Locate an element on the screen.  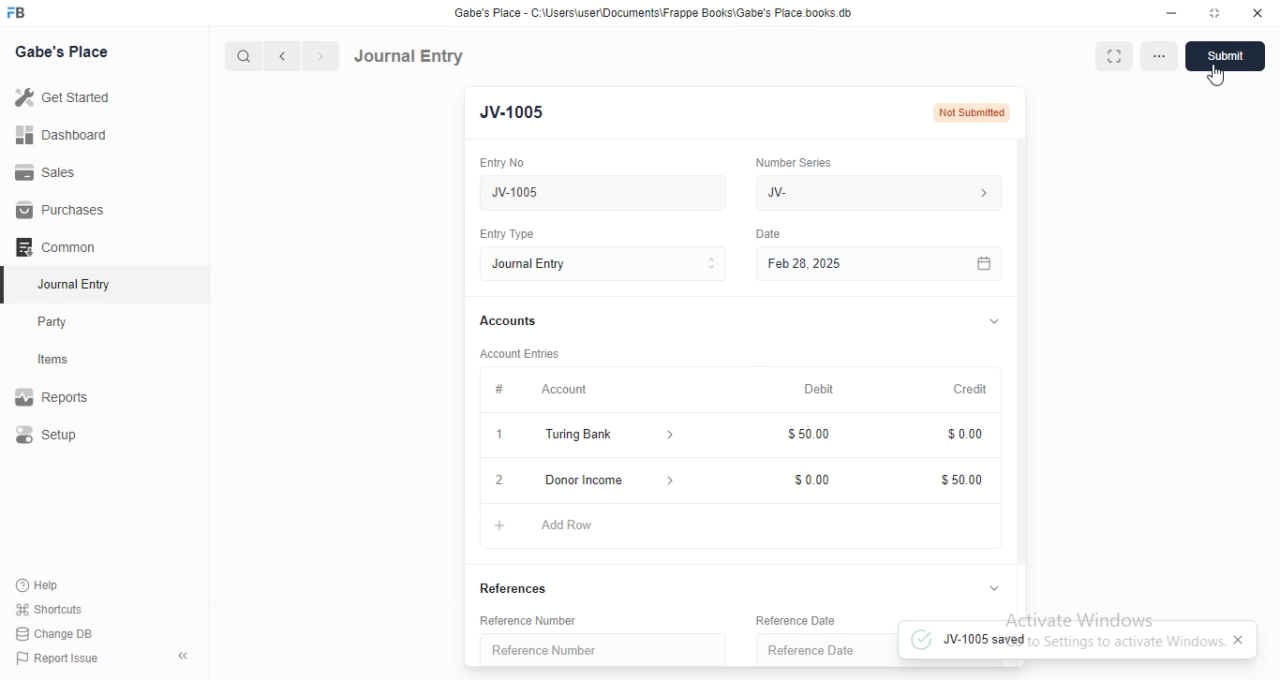
turing bank is located at coordinates (606, 436).